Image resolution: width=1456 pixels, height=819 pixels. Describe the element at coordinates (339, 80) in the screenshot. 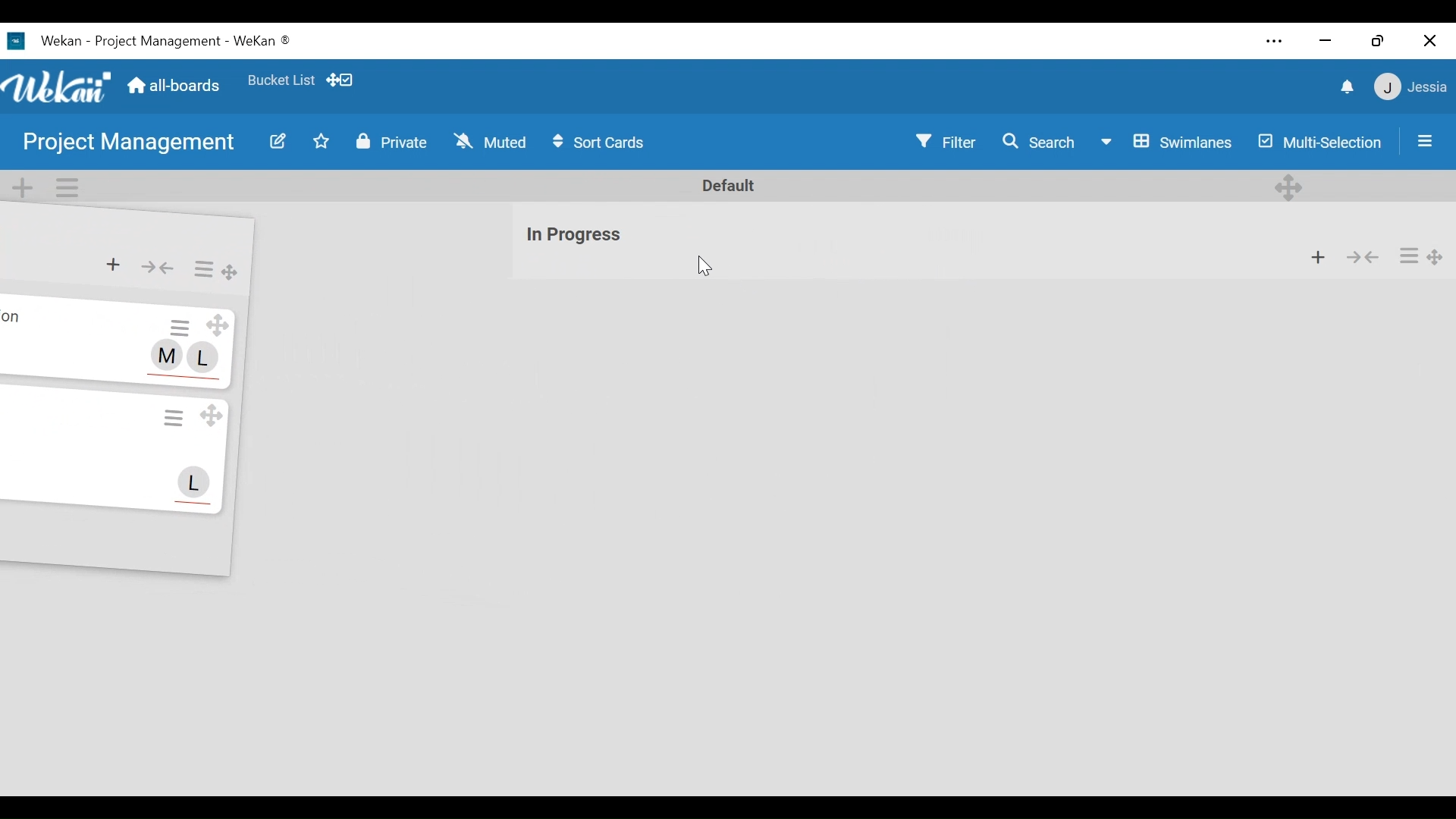

I see `Show Desktop drag handles` at that location.